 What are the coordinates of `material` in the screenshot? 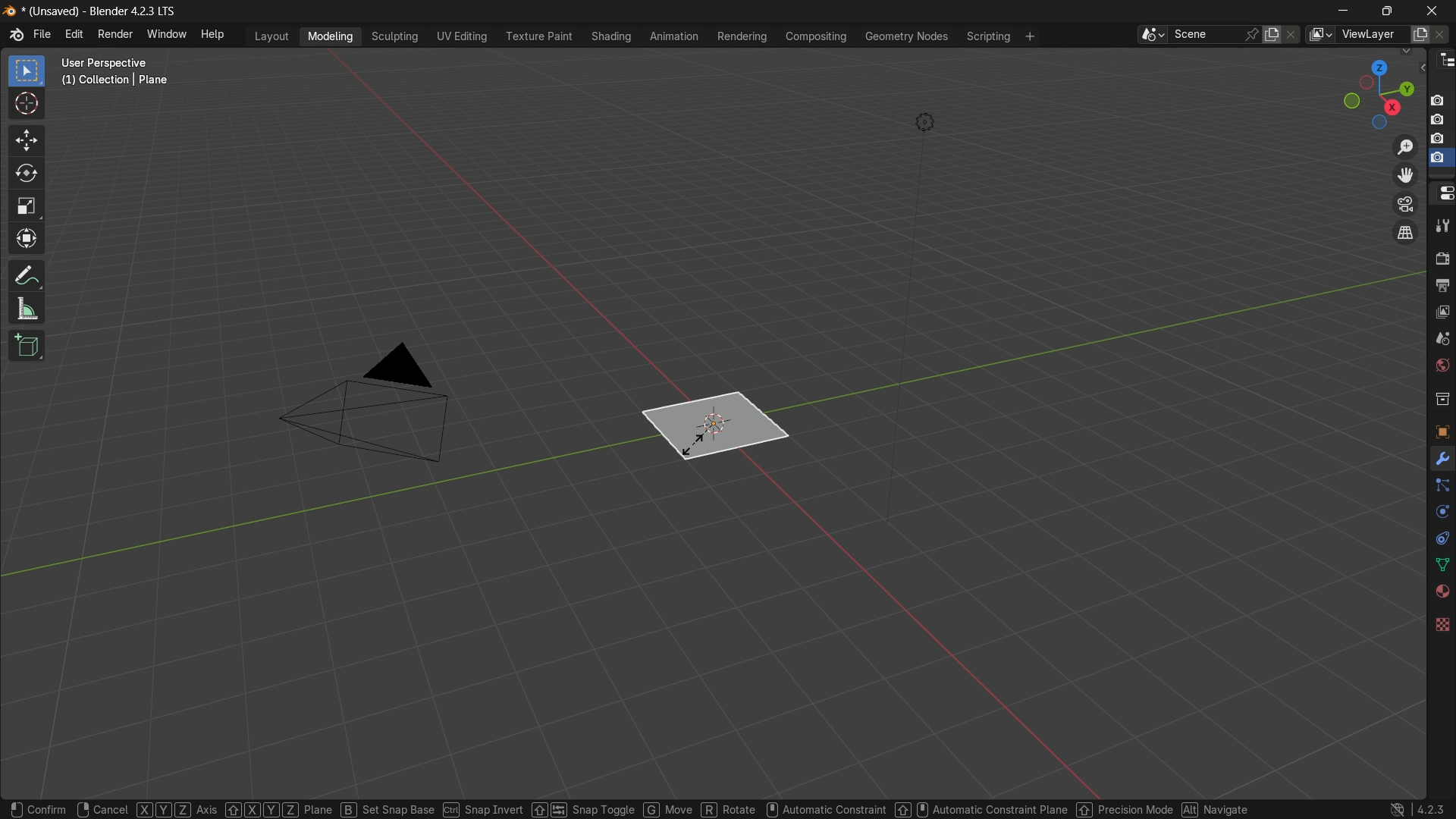 It's located at (1441, 591).